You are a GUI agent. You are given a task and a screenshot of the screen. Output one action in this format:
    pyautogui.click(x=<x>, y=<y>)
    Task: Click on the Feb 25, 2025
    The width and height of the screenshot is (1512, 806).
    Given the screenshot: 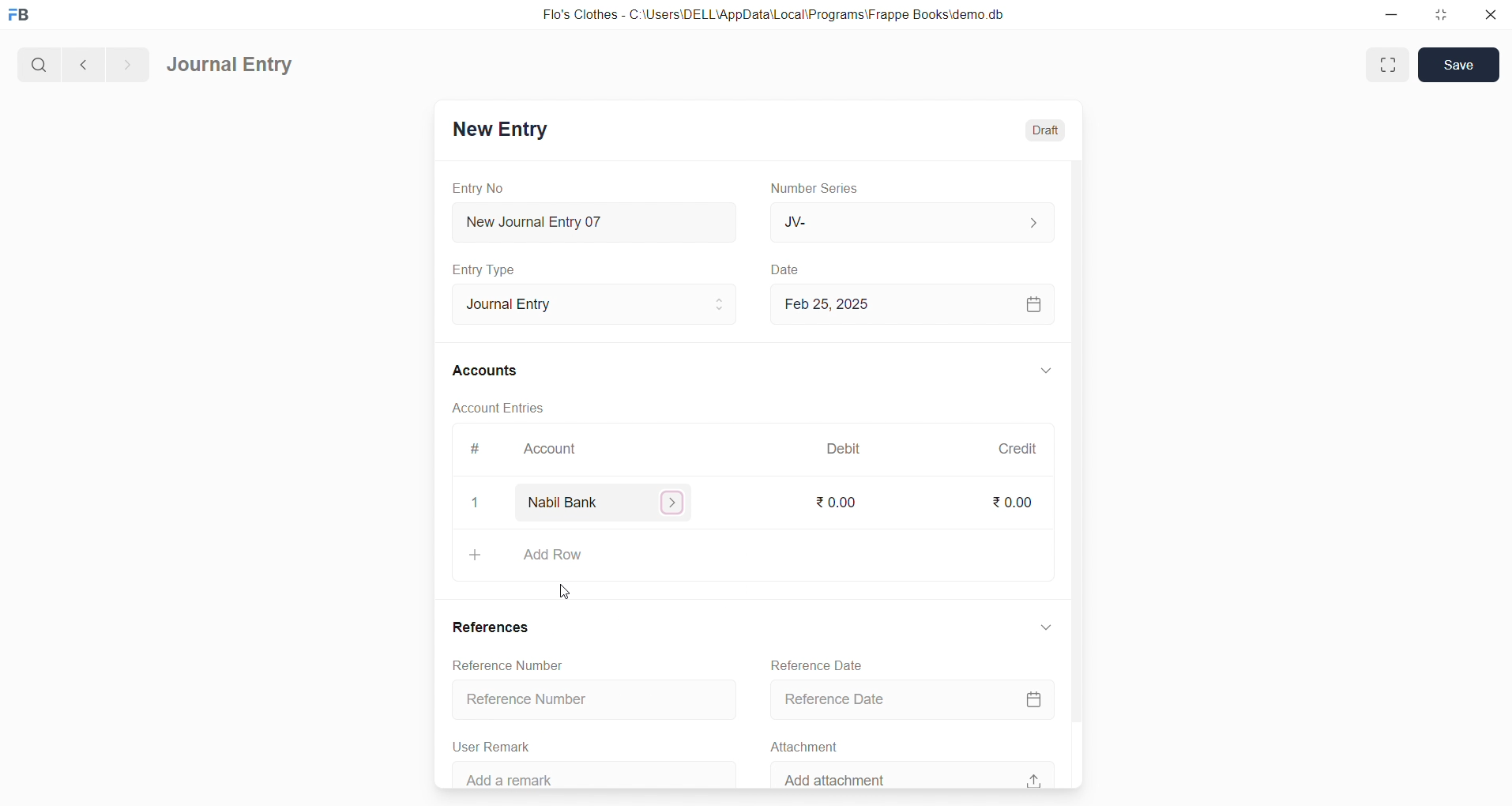 What is the action you would take?
    pyautogui.click(x=914, y=304)
    